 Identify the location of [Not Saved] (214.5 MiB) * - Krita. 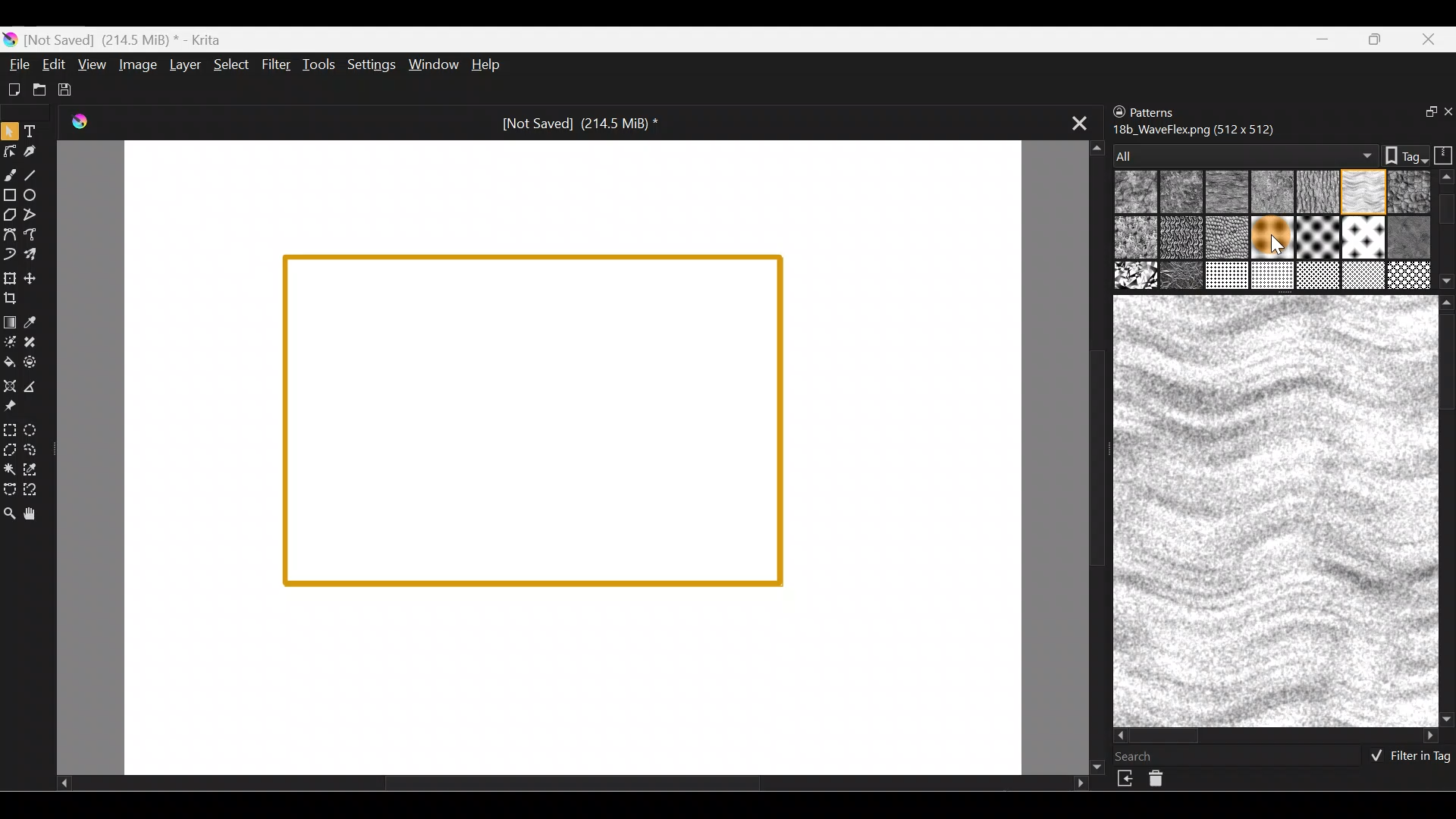
(129, 40).